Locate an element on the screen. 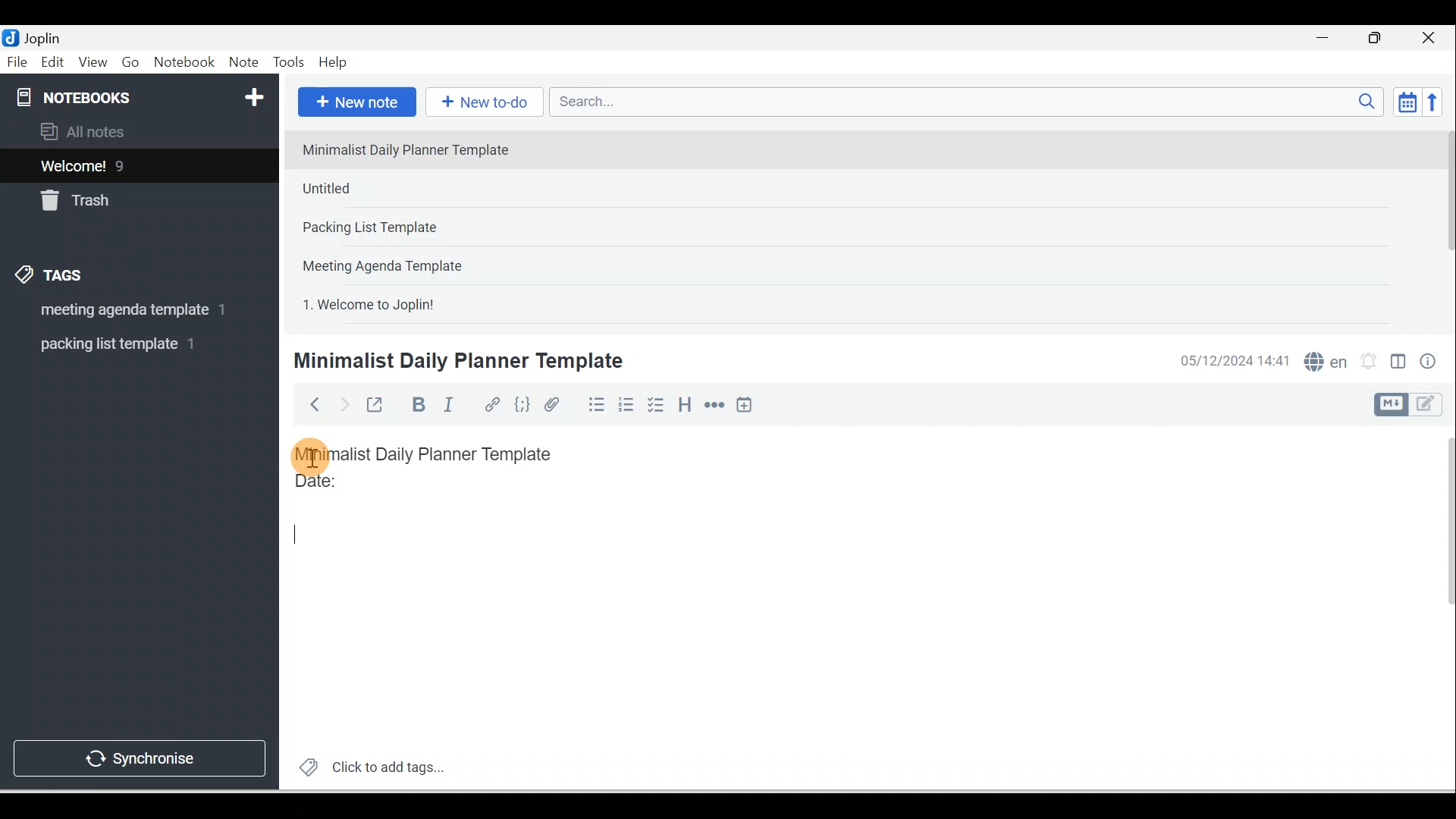  Close is located at coordinates (1432, 38).